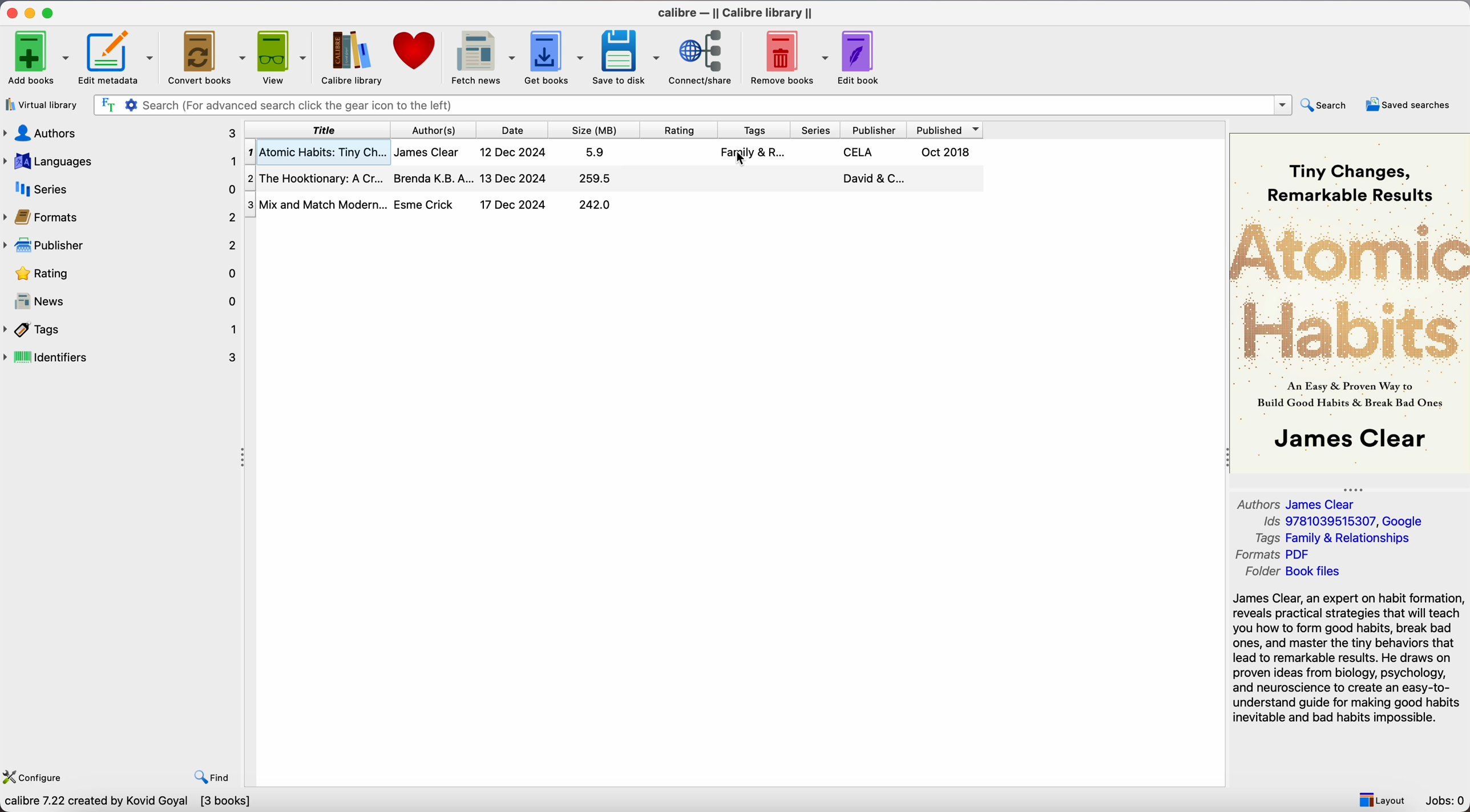 The width and height of the screenshot is (1470, 812). Describe the element at coordinates (122, 245) in the screenshot. I see `publisher` at that location.